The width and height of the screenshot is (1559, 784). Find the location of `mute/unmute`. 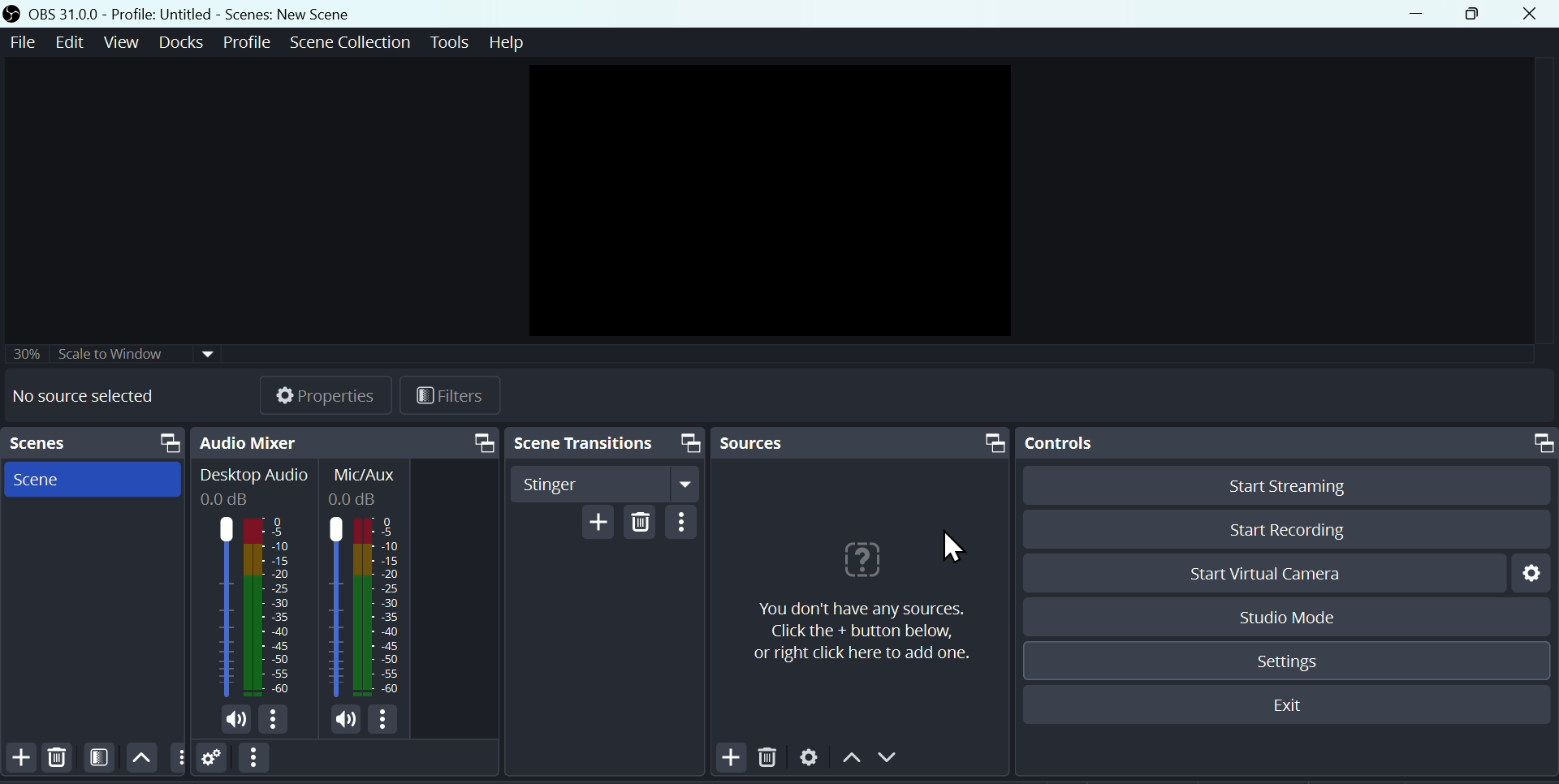

mute/unmute is located at coordinates (234, 719).